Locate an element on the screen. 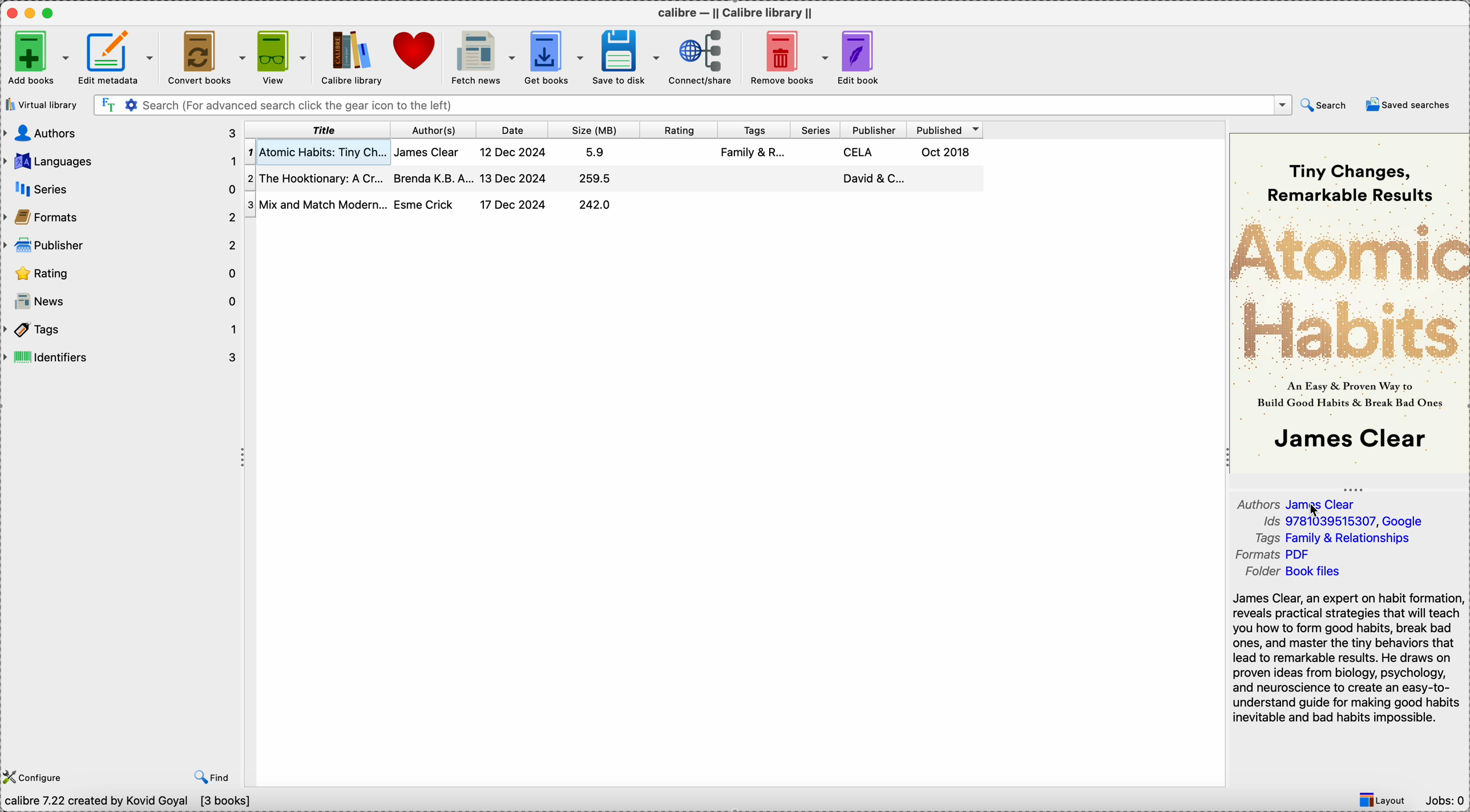  Calibre - || Calibre library || is located at coordinates (734, 12).